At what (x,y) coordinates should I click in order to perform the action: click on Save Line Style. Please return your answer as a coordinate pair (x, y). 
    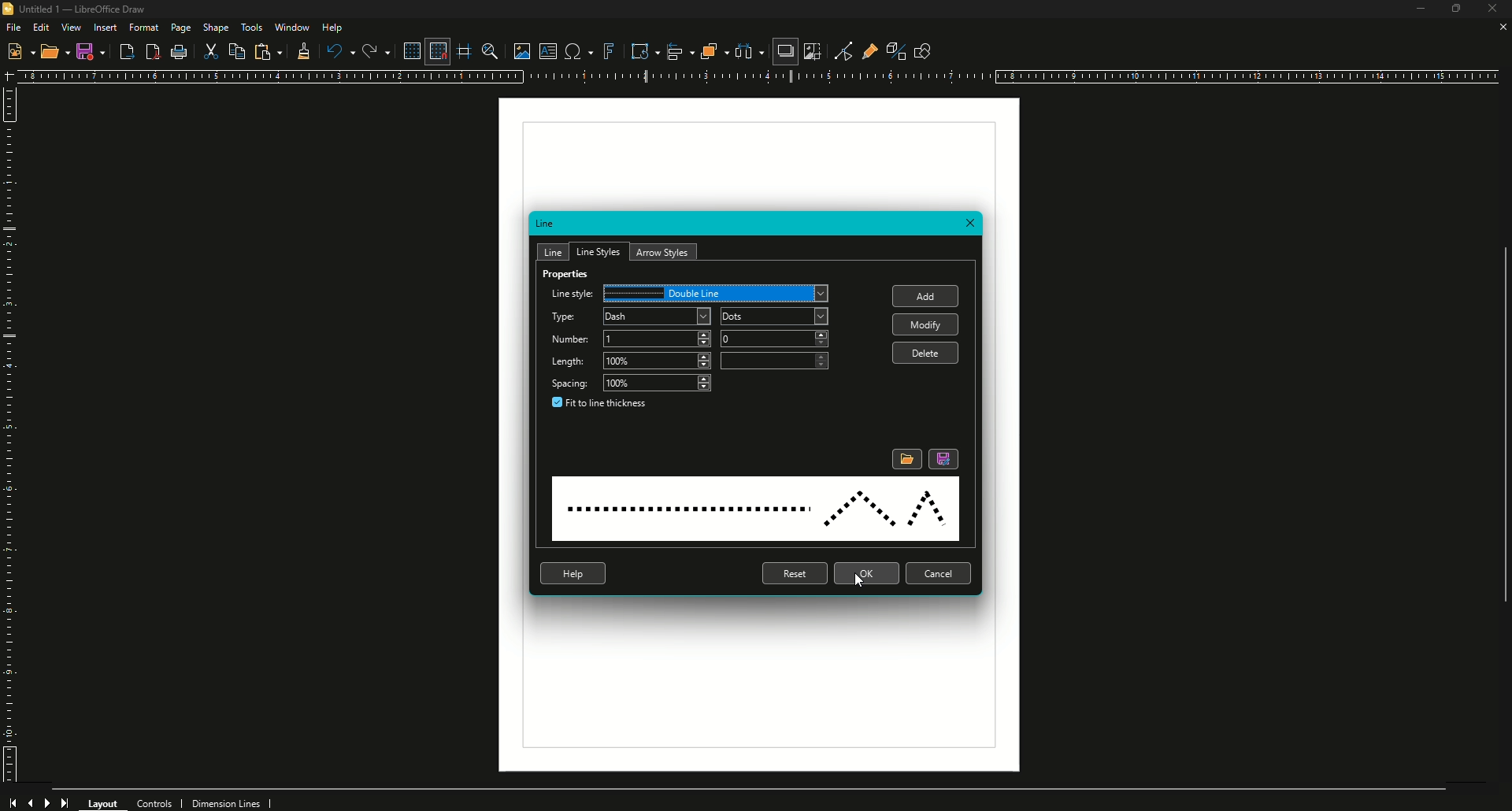
    Looking at the image, I should click on (944, 459).